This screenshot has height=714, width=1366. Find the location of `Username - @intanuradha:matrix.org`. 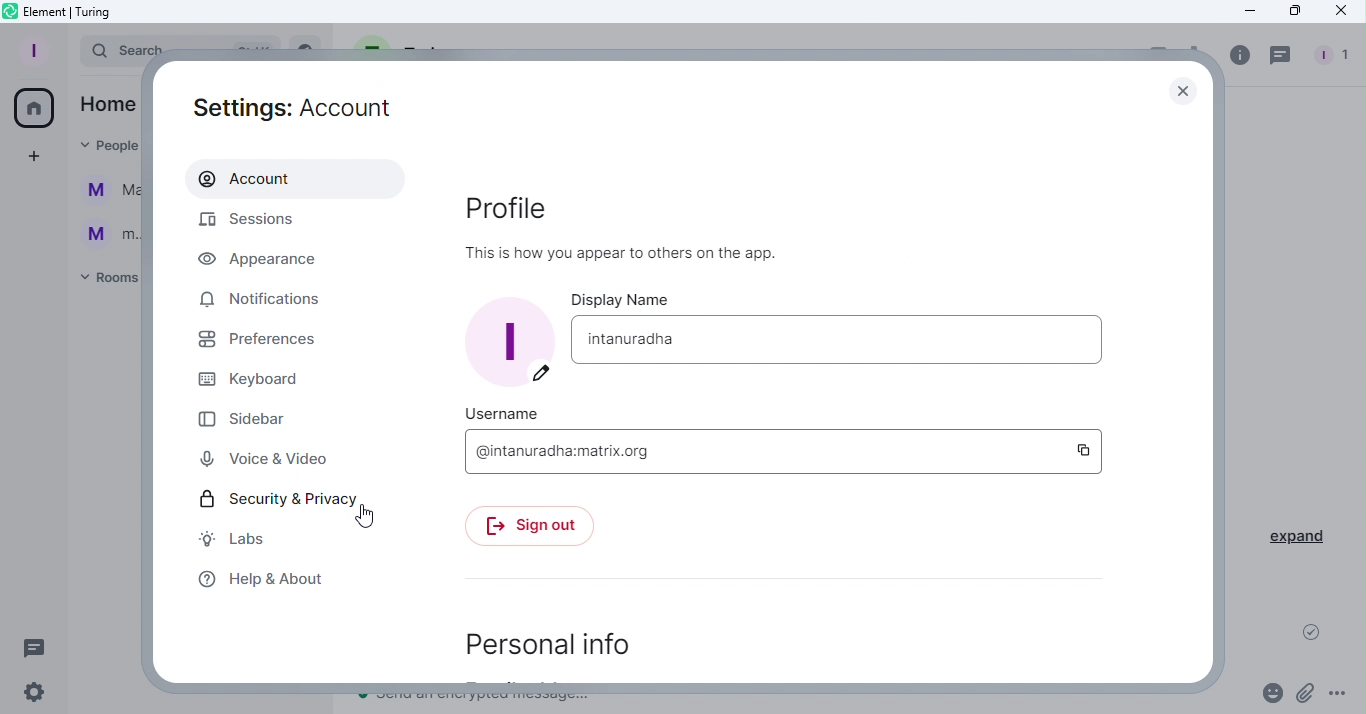

Username - @intanuradha:matrix.org is located at coordinates (761, 451).